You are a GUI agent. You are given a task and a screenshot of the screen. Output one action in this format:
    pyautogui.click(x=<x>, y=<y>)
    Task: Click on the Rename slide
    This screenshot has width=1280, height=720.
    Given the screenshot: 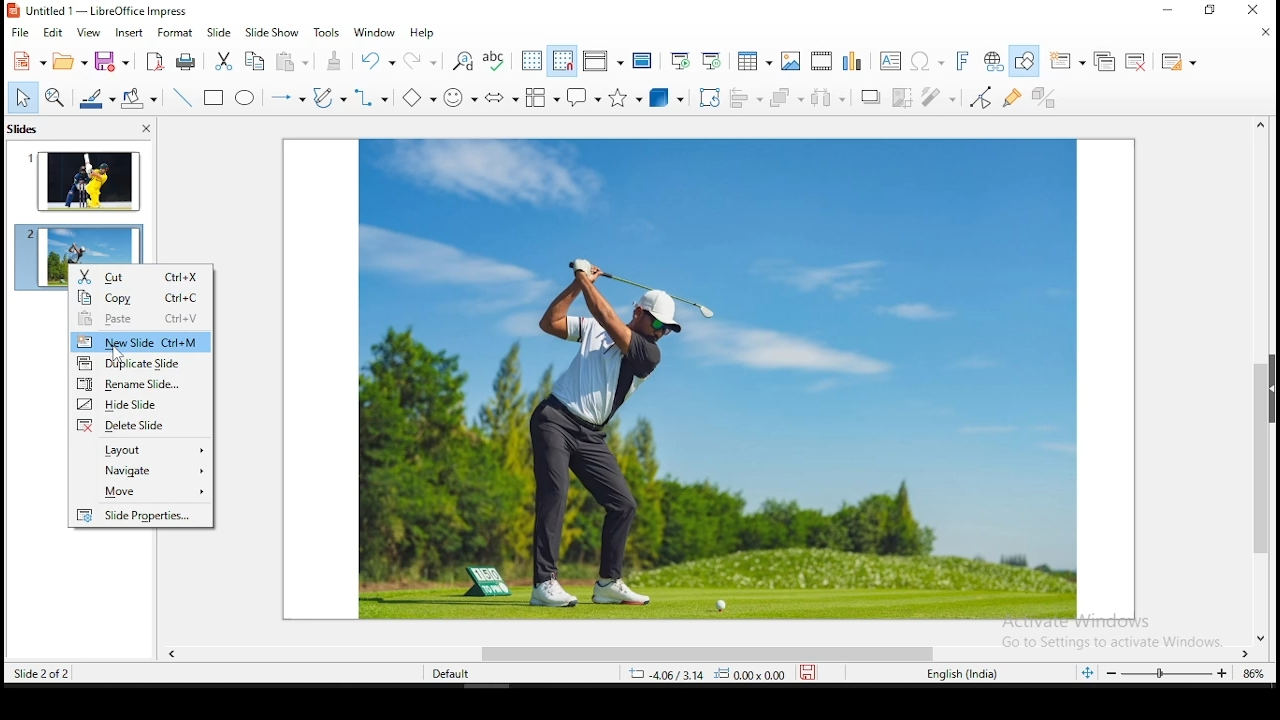 What is the action you would take?
    pyautogui.click(x=141, y=385)
    